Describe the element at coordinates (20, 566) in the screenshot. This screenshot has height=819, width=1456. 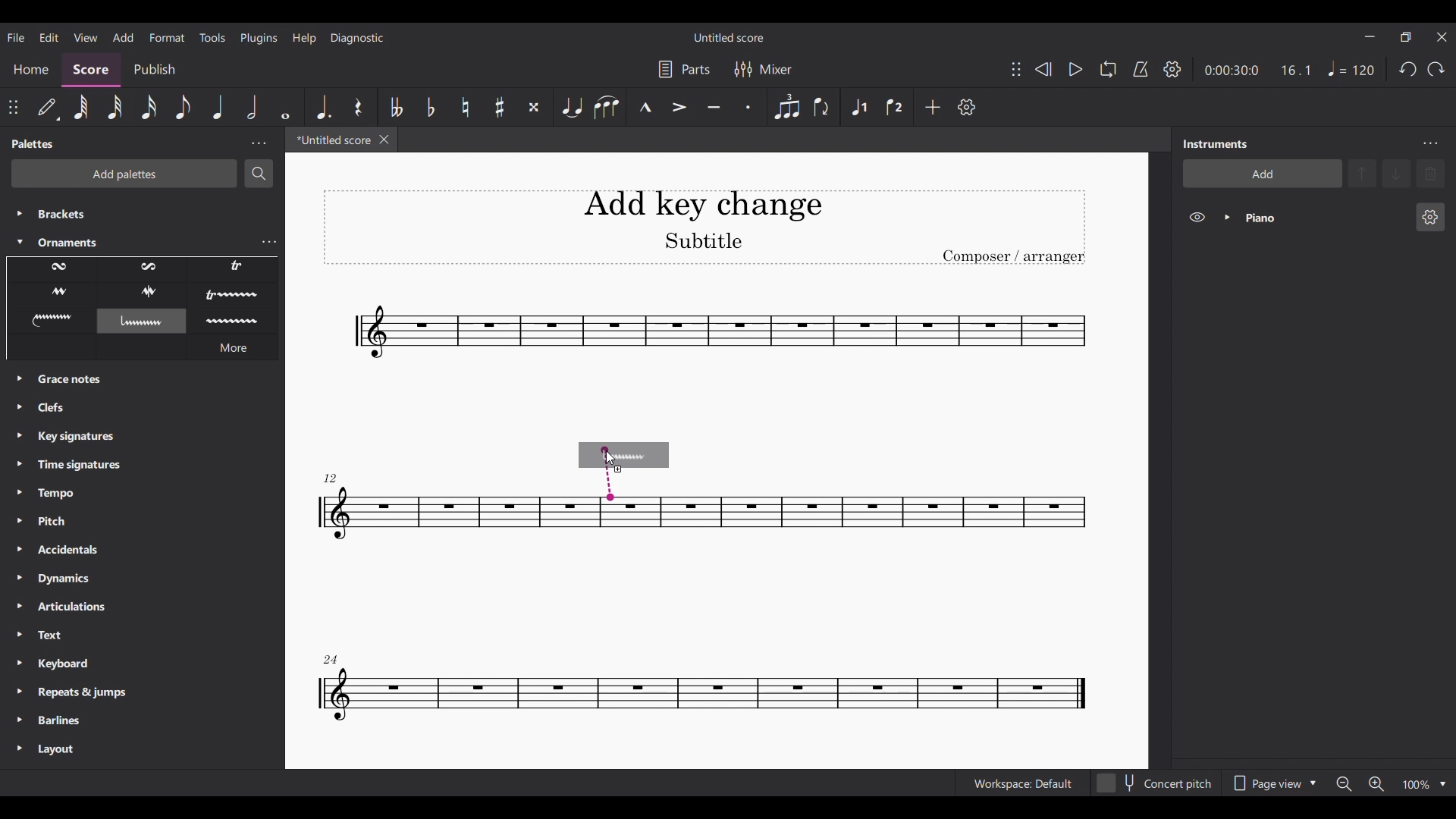
I see `Expand palettes` at that location.